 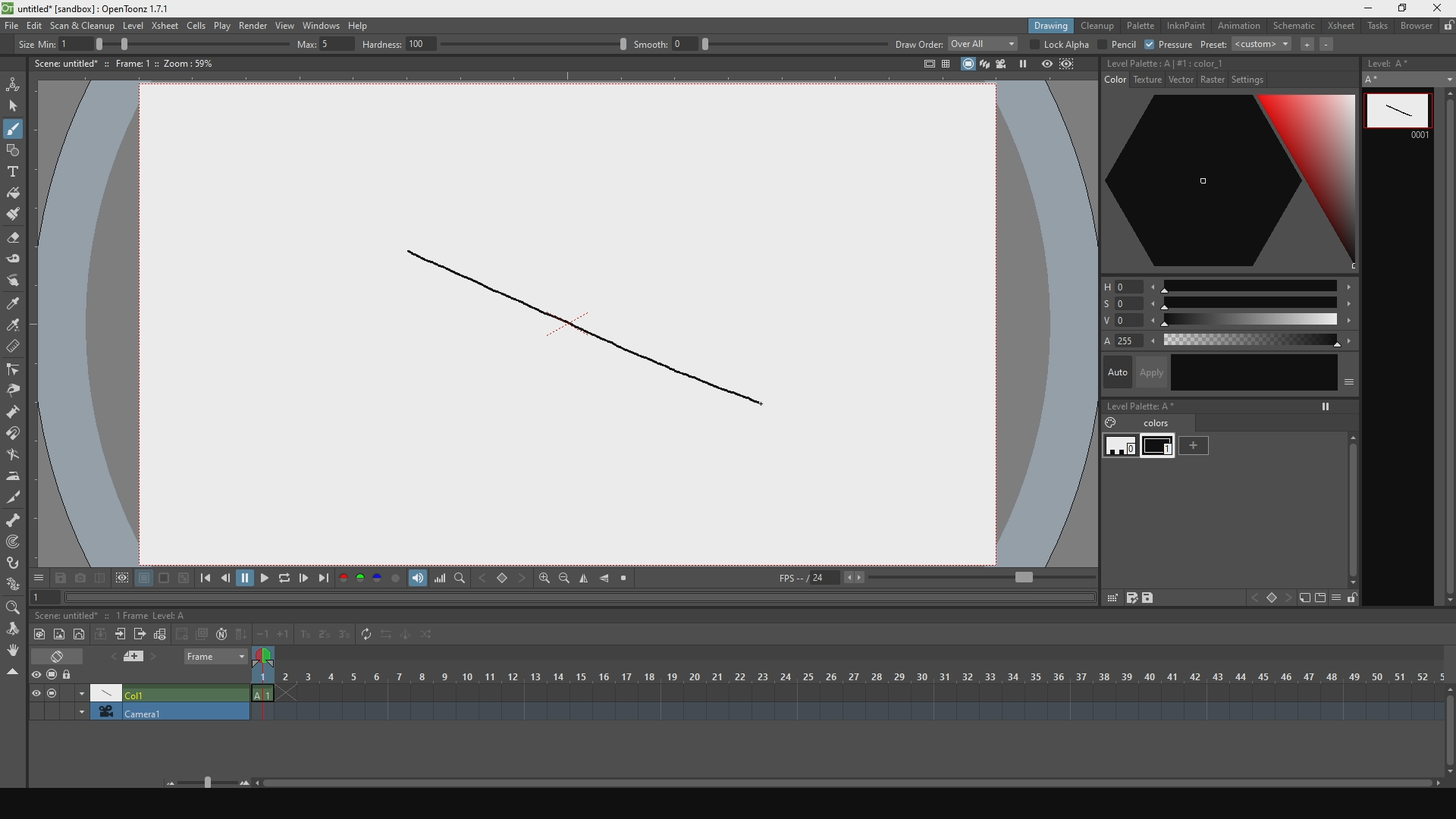 What do you see at coordinates (1116, 45) in the screenshot?
I see `pencil` at bounding box center [1116, 45].